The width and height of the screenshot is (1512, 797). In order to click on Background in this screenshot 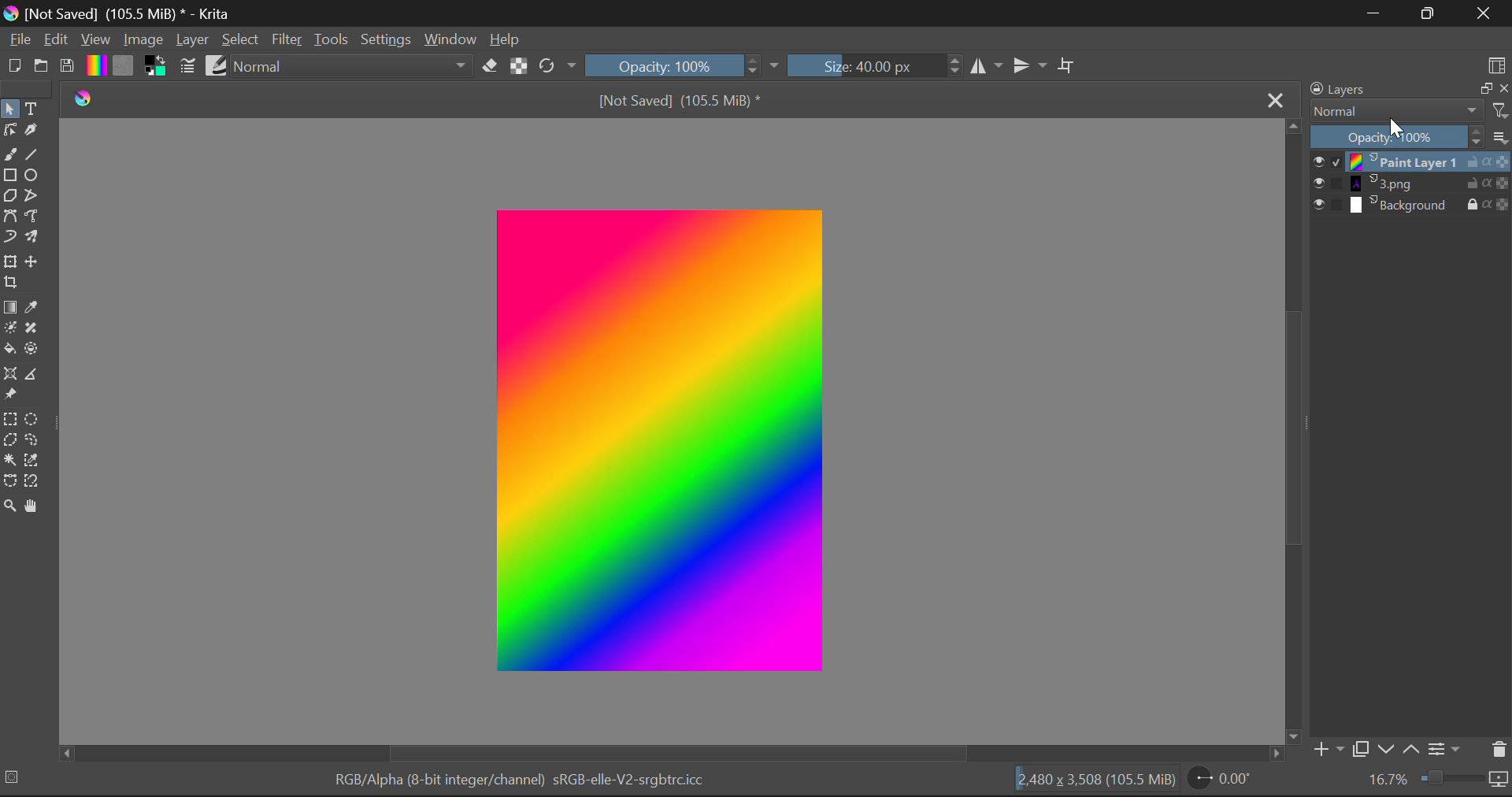, I will do `click(1406, 206)`.